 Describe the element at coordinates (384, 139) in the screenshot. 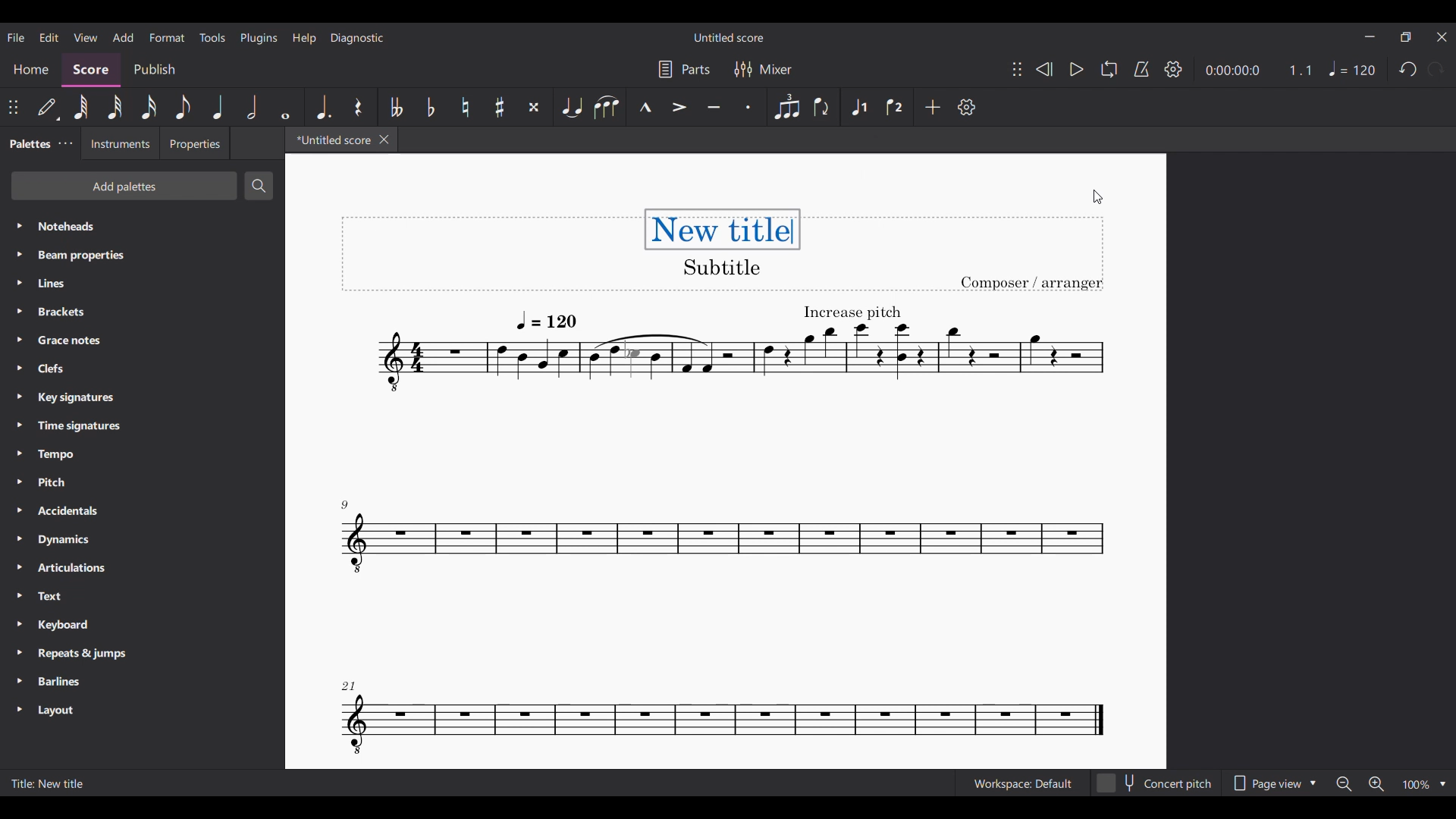

I see `Close tab` at that location.